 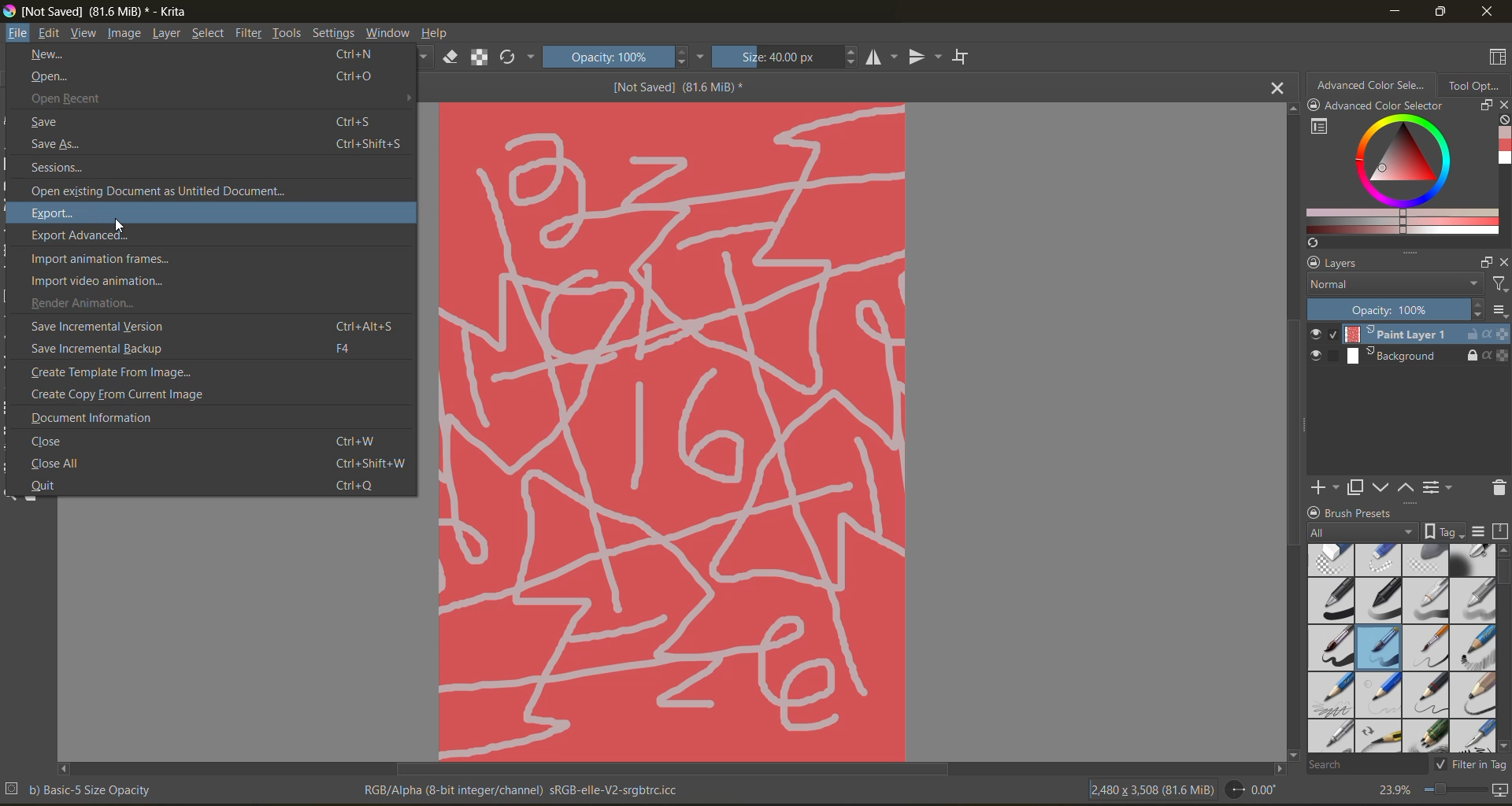 What do you see at coordinates (203, 439) in the screenshot?
I see `close` at bounding box center [203, 439].